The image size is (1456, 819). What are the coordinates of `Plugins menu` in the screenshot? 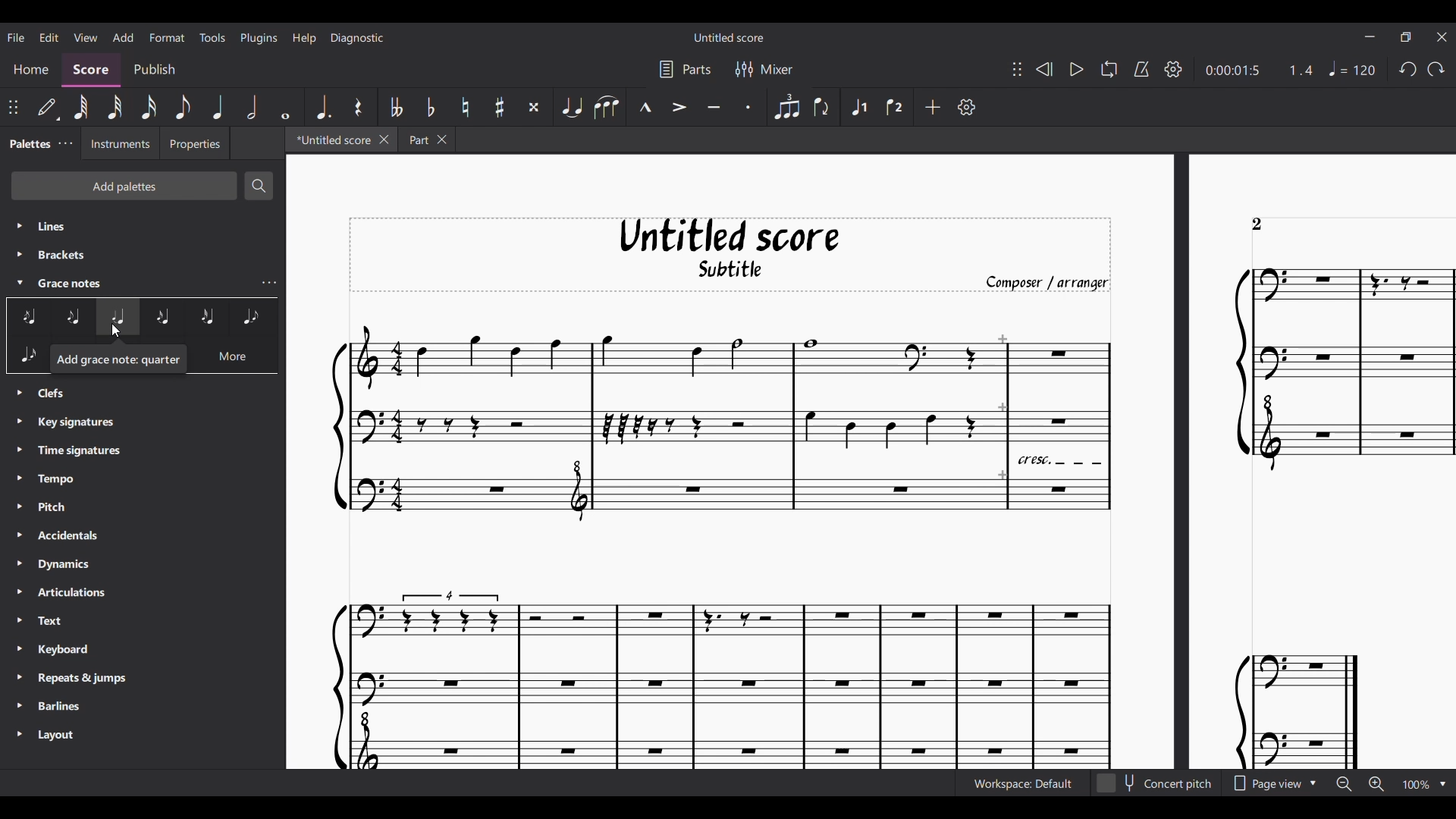 It's located at (259, 37).